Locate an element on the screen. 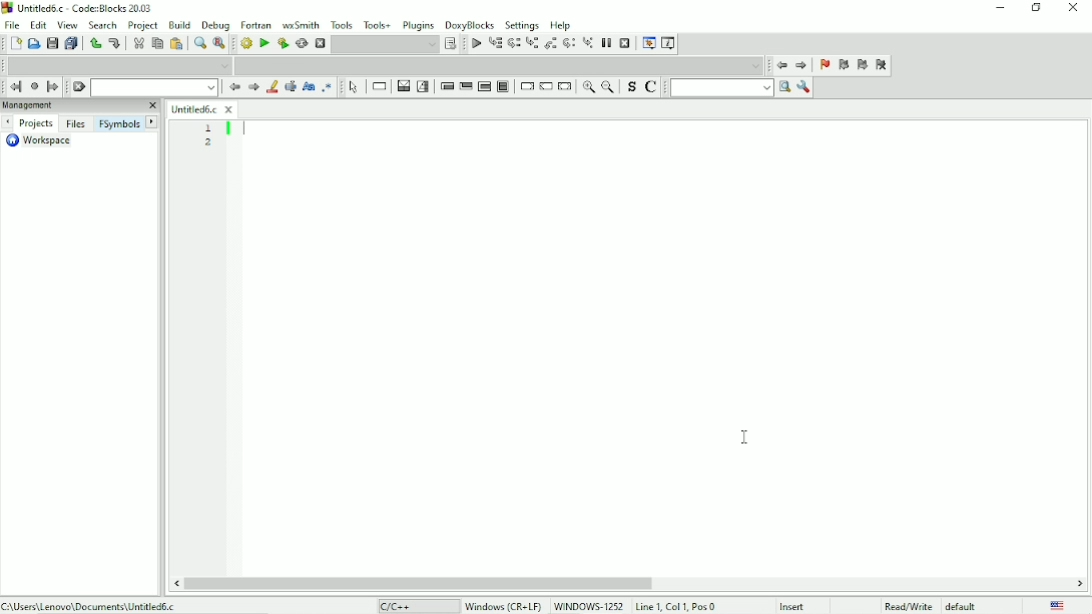 The height and width of the screenshot is (614, 1092). Last jump is located at coordinates (34, 86).